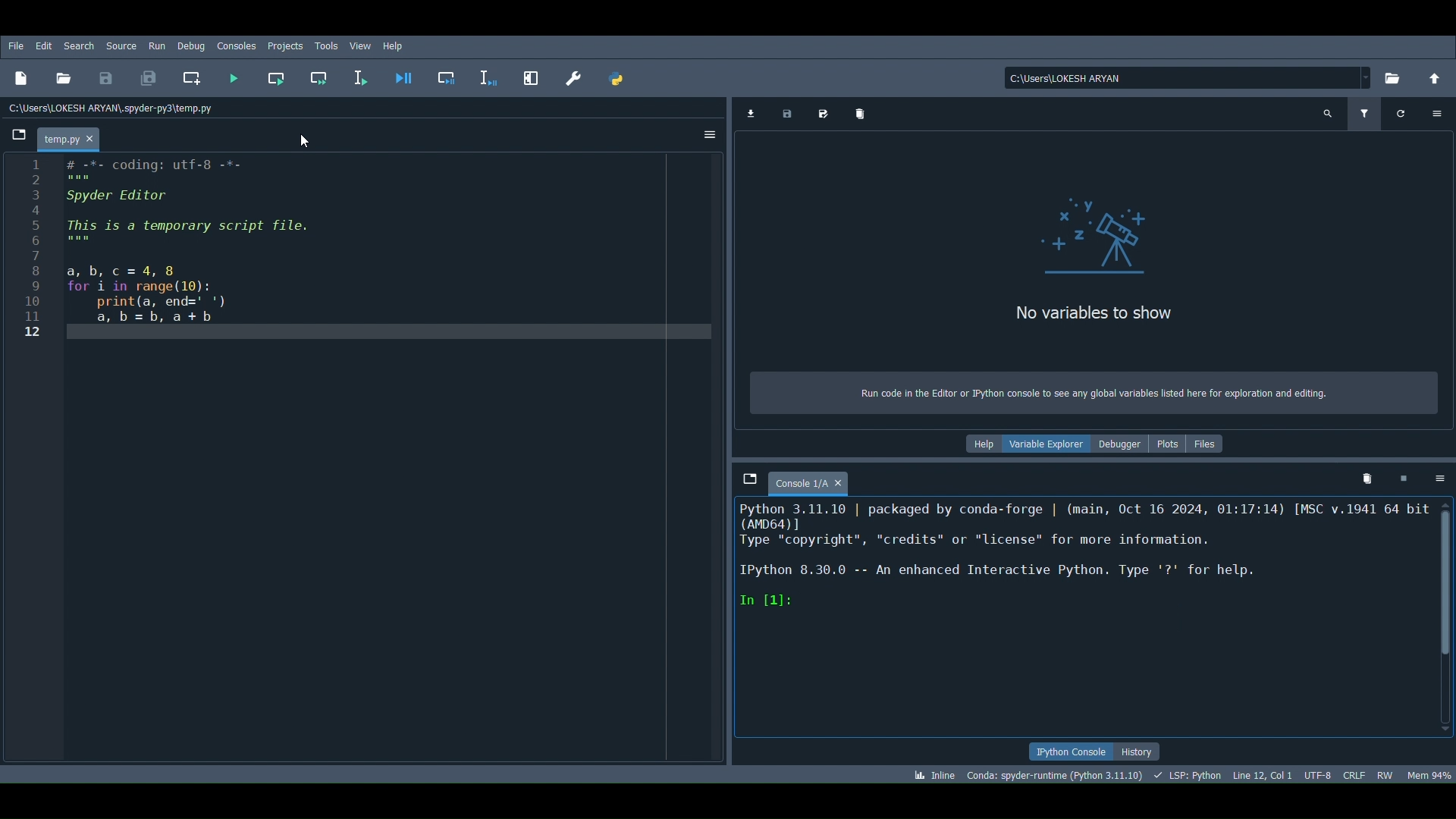 Image resolution: width=1456 pixels, height=819 pixels. Describe the element at coordinates (451, 77) in the screenshot. I see `Debug cell` at that location.